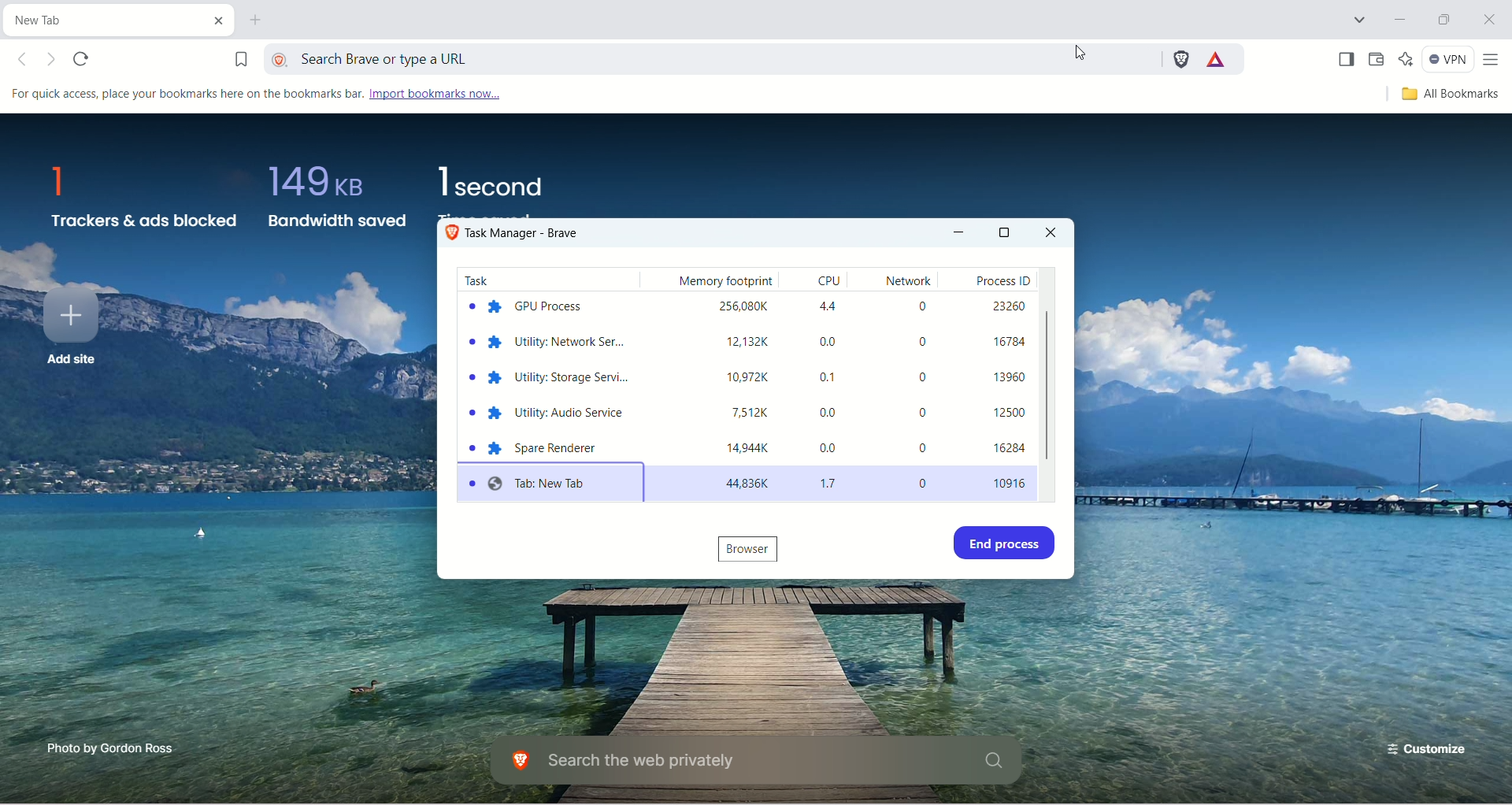  What do you see at coordinates (541, 345) in the screenshot?
I see `utility-network` at bounding box center [541, 345].